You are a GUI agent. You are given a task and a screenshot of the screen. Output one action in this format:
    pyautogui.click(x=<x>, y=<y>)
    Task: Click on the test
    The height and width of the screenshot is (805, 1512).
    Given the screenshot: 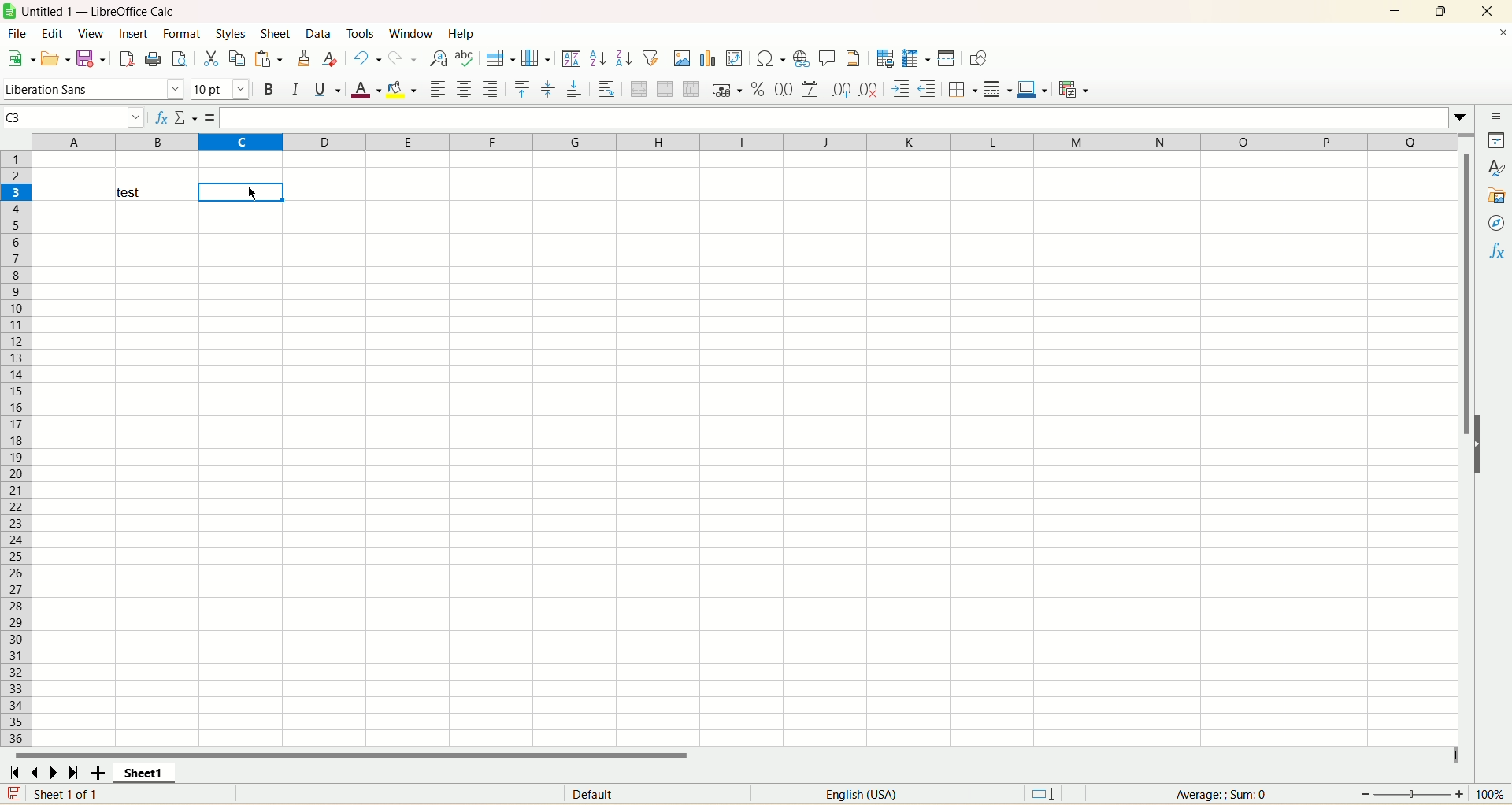 What is the action you would take?
    pyautogui.click(x=156, y=192)
    